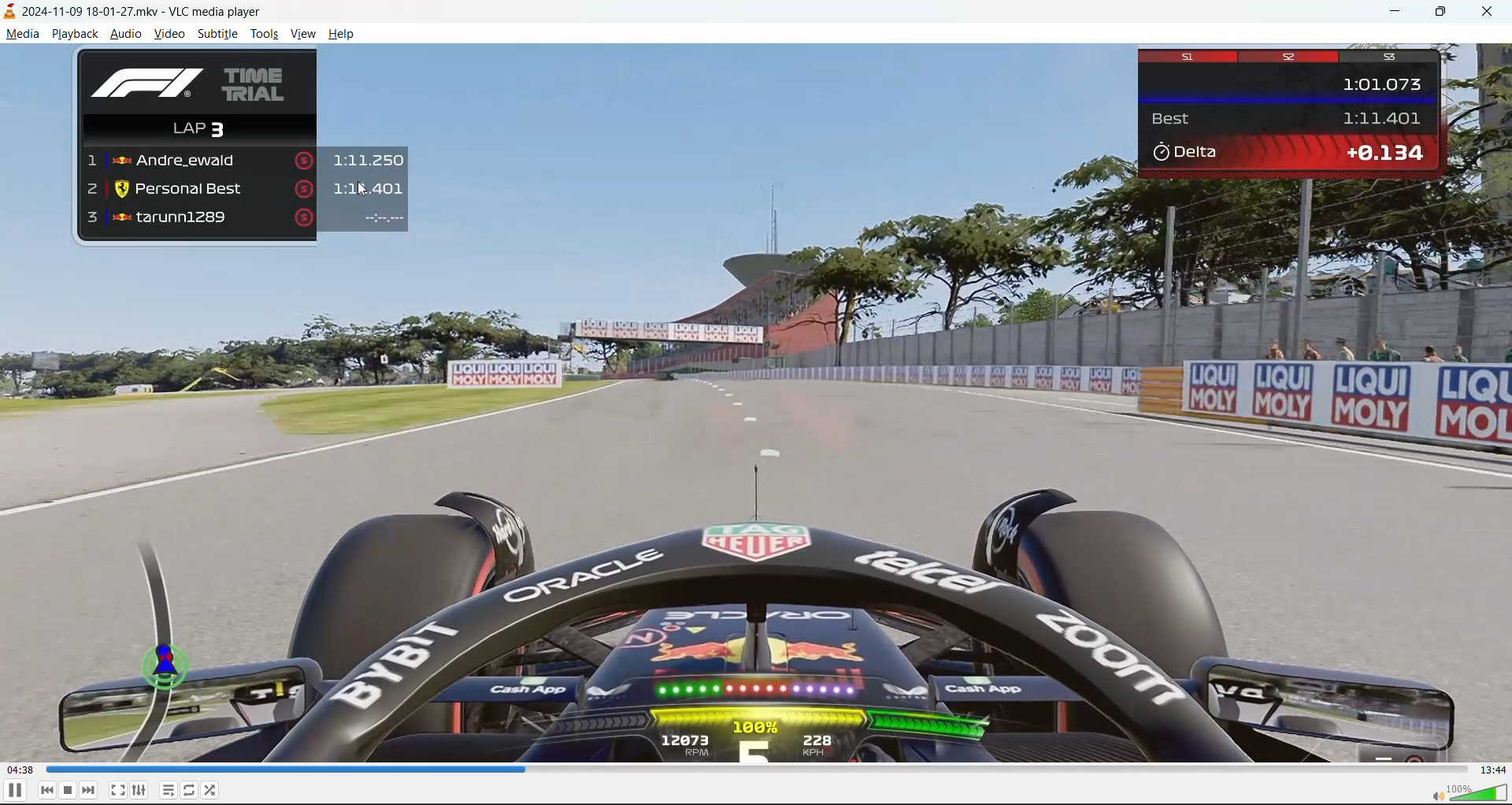 The height and width of the screenshot is (805, 1512). What do you see at coordinates (47, 790) in the screenshot?
I see `previous` at bounding box center [47, 790].